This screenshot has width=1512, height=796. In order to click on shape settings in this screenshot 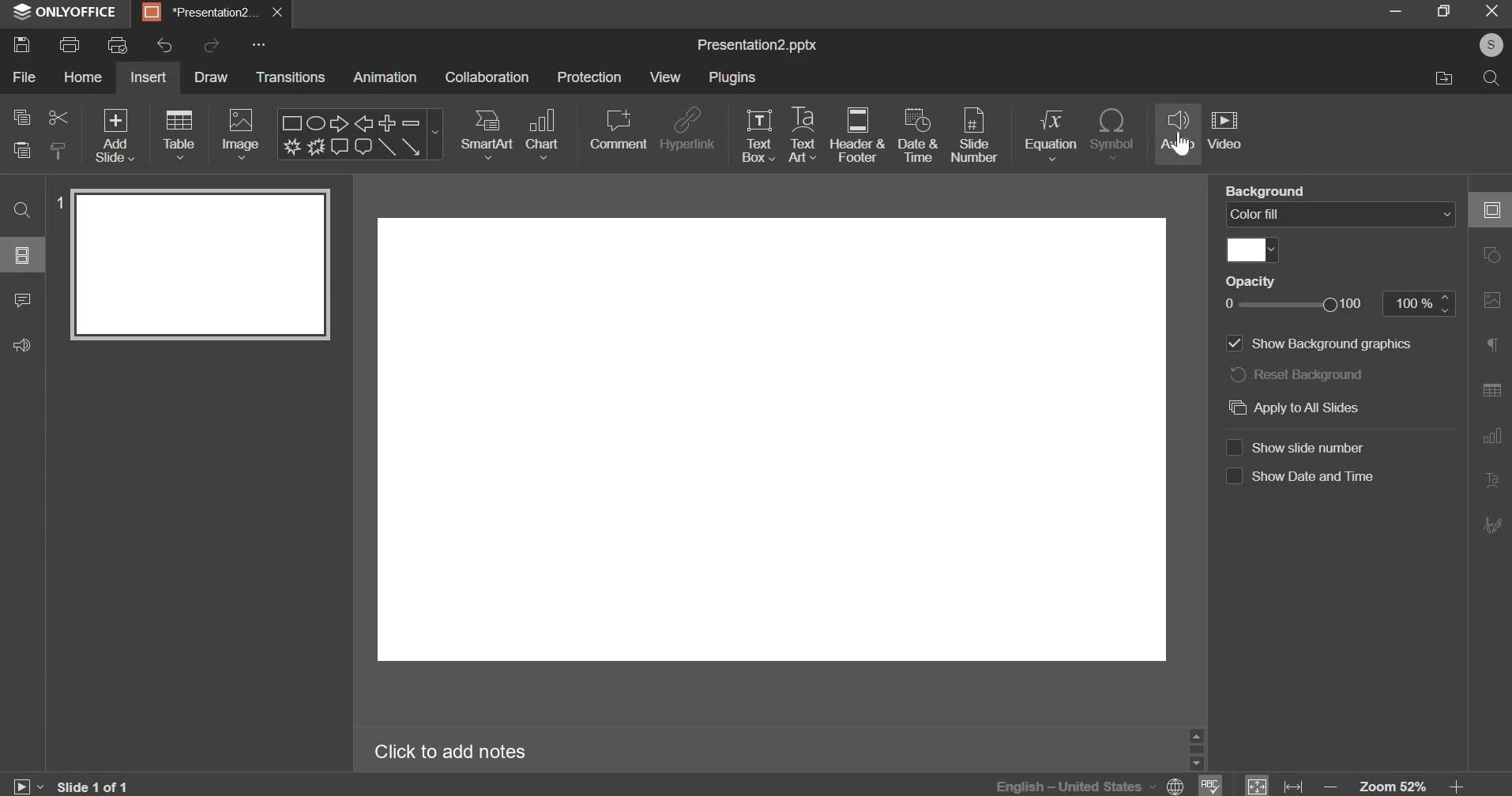, I will do `click(1491, 253)`.